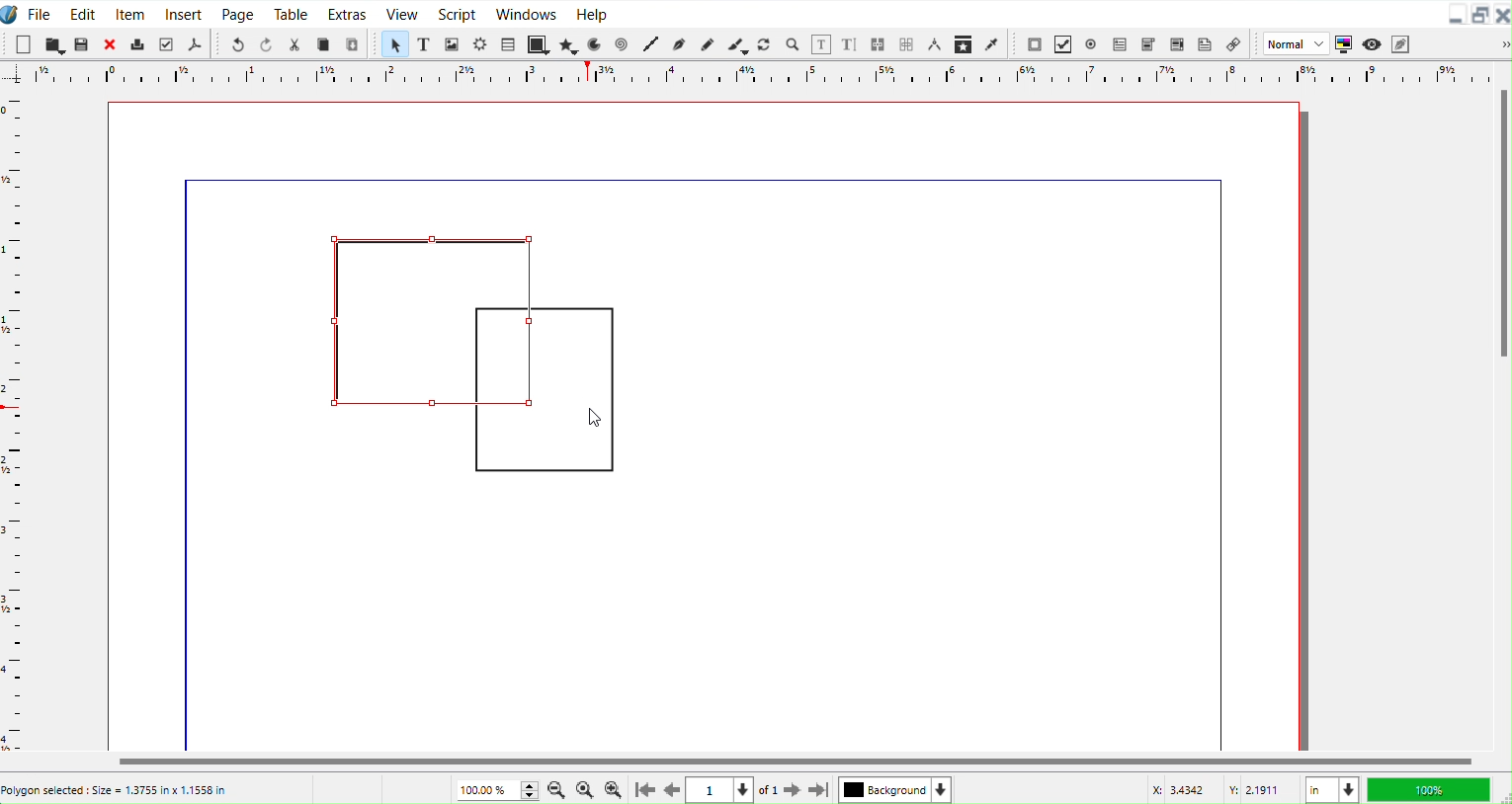 This screenshot has width=1512, height=804. What do you see at coordinates (623, 43) in the screenshot?
I see `Spiral` at bounding box center [623, 43].